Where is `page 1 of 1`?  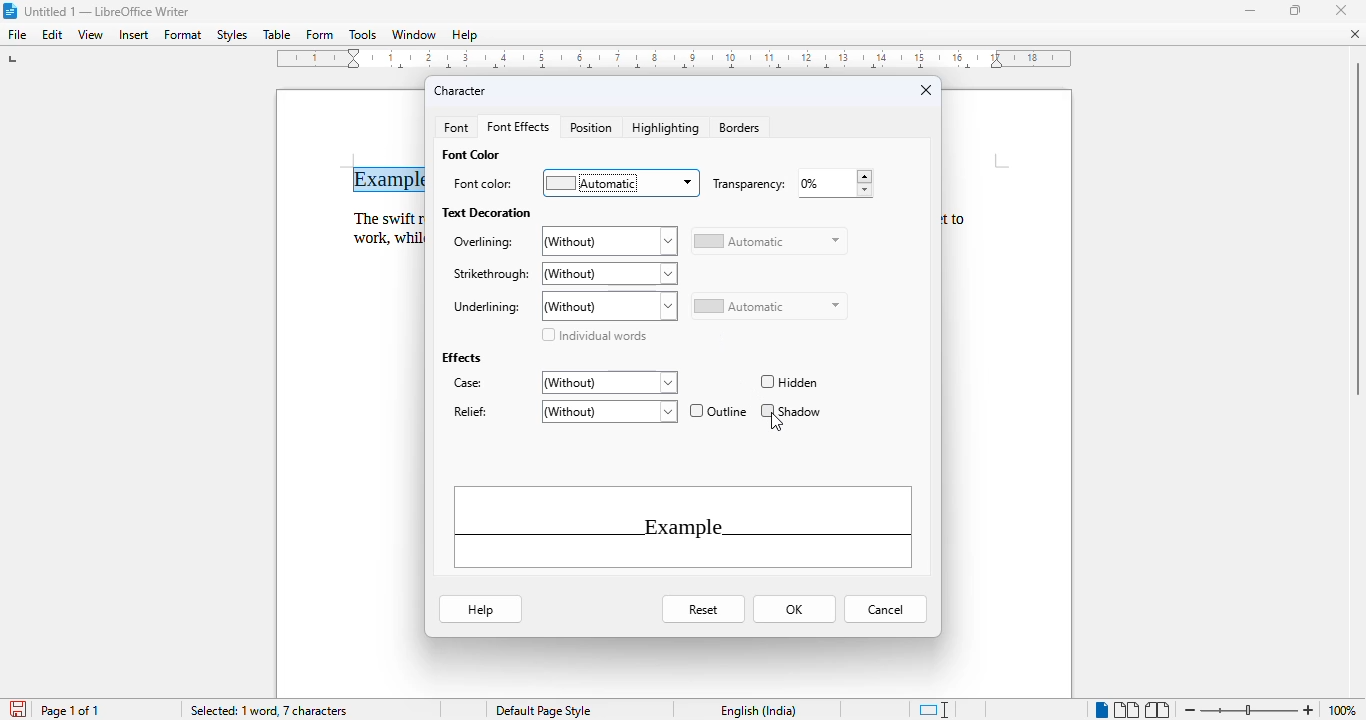
page 1 of 1 is located at coordinates (70, 710).